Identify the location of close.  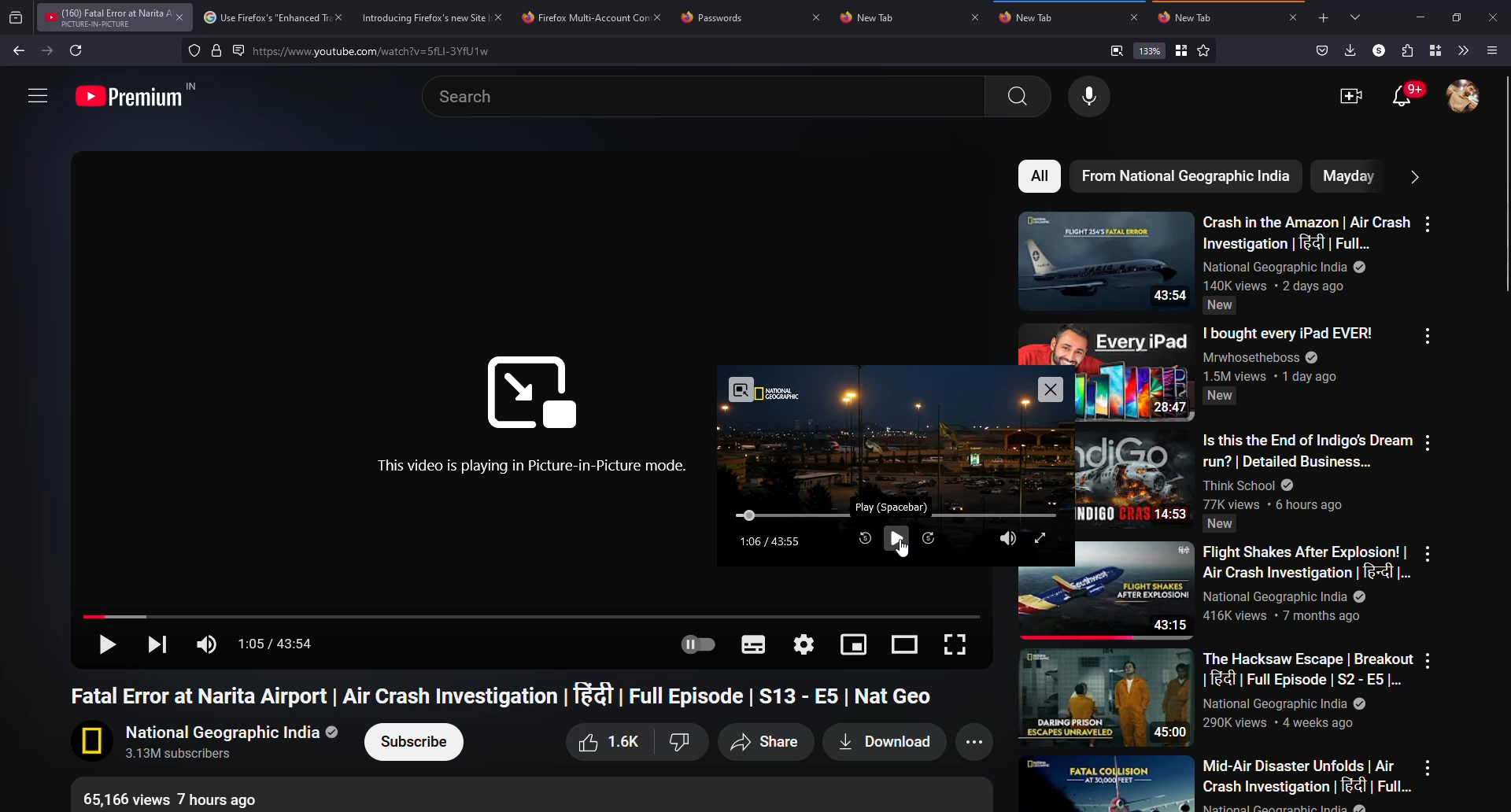
(816, 17).